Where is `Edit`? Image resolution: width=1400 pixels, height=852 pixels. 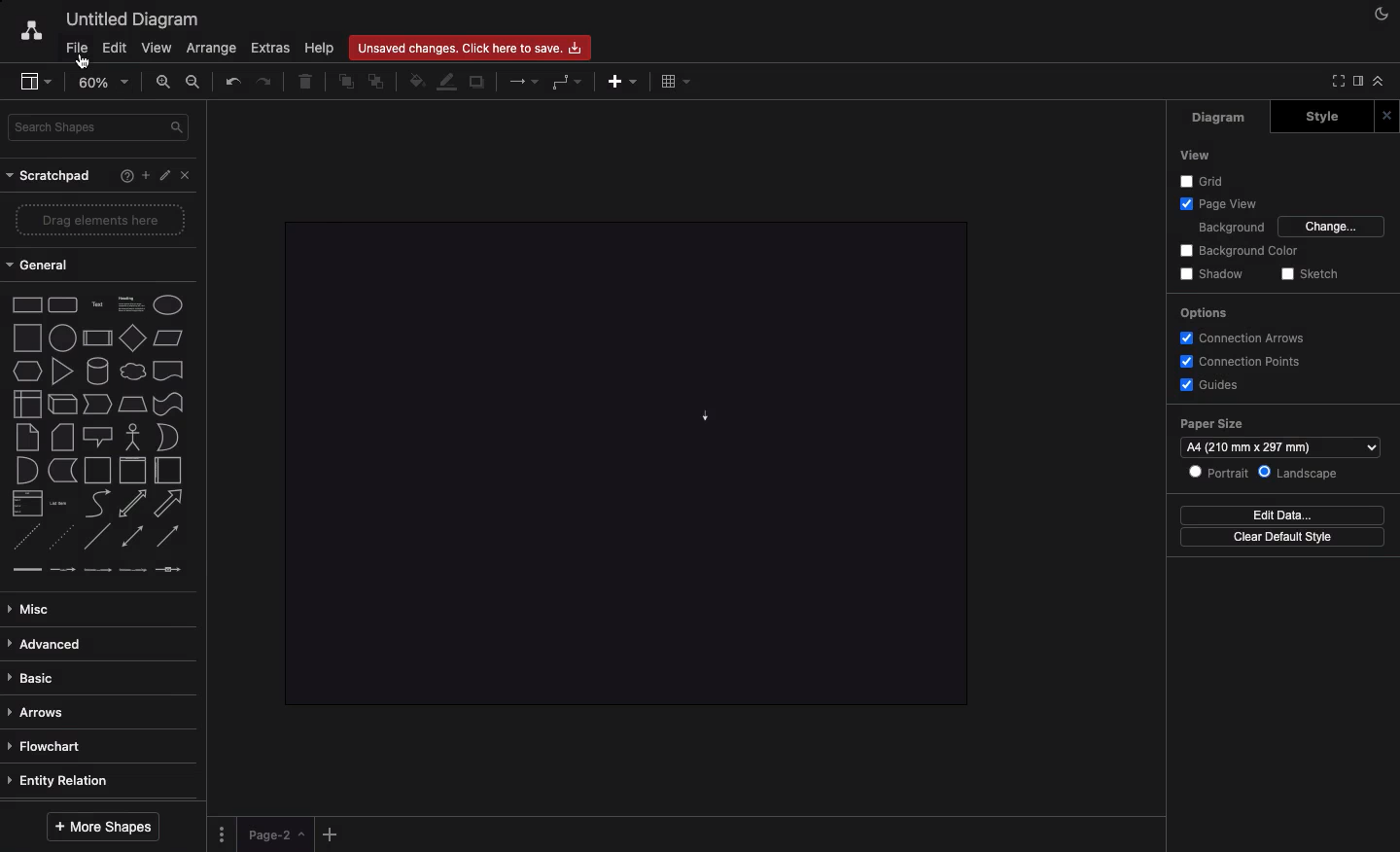
Edit is located at coordinates (115, 47).